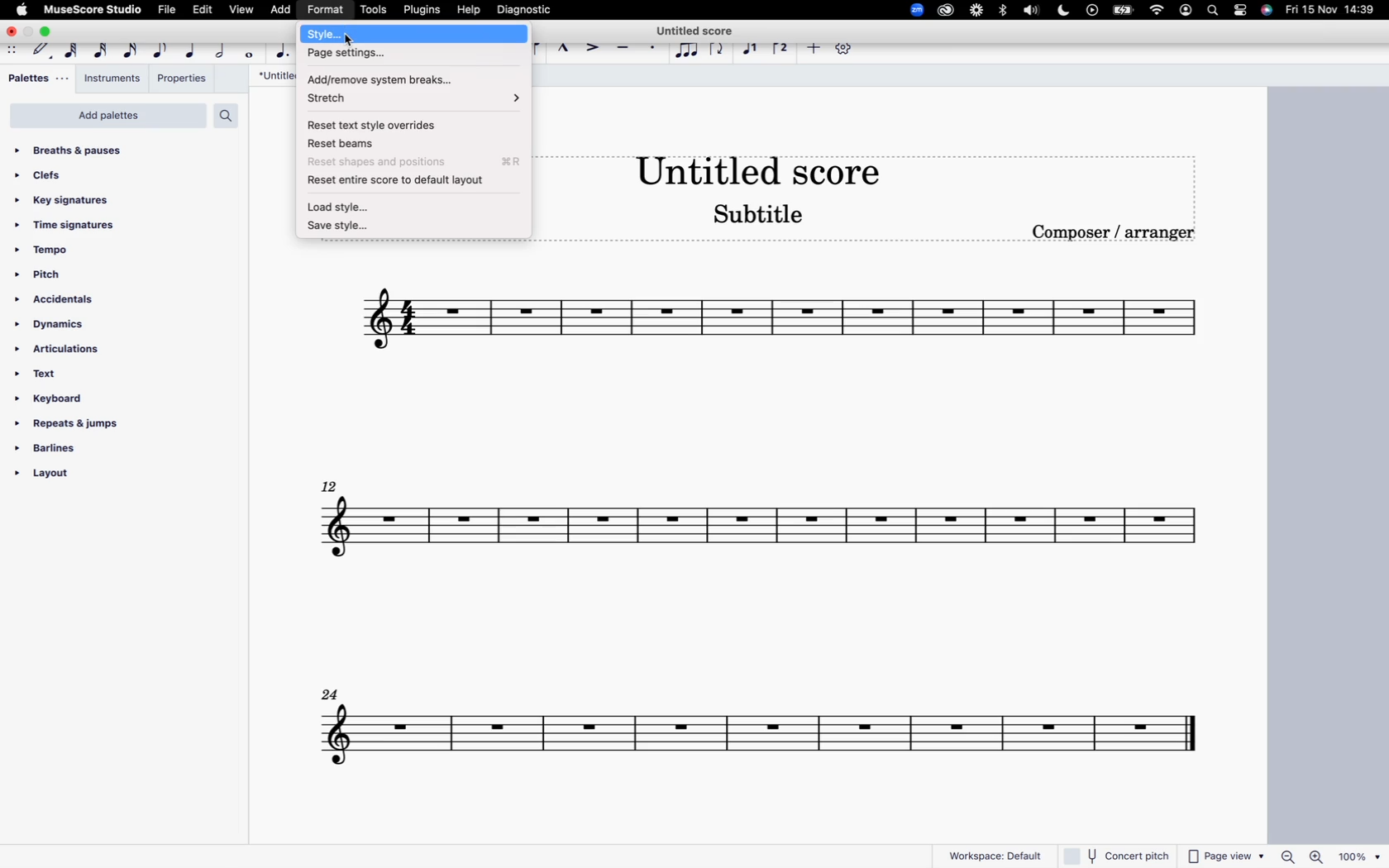  I want to click on format, so click(325, 10).